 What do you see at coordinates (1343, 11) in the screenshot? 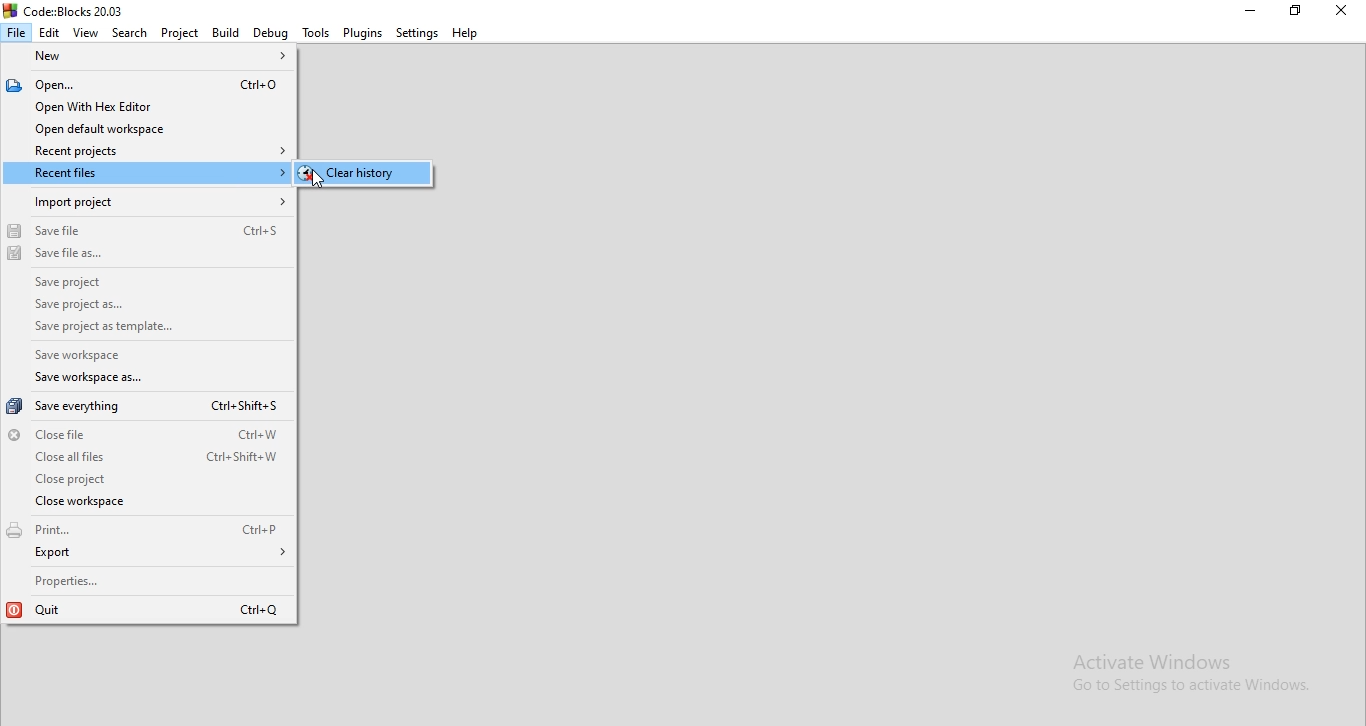
I see `Minimise` at bounding box center [1343, 11].